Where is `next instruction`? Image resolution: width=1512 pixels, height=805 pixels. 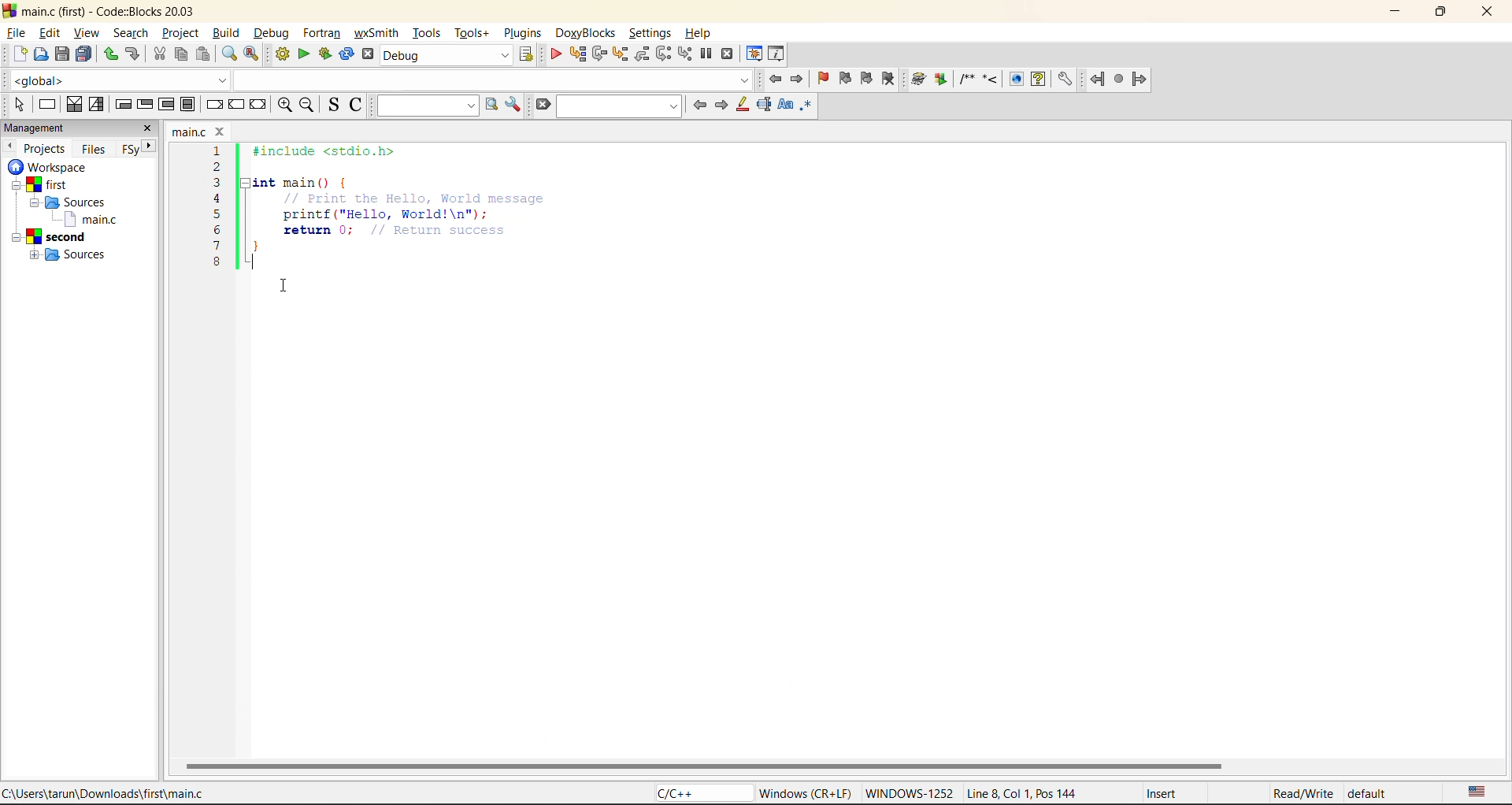 next instruction is located at coordinates (664, 54).